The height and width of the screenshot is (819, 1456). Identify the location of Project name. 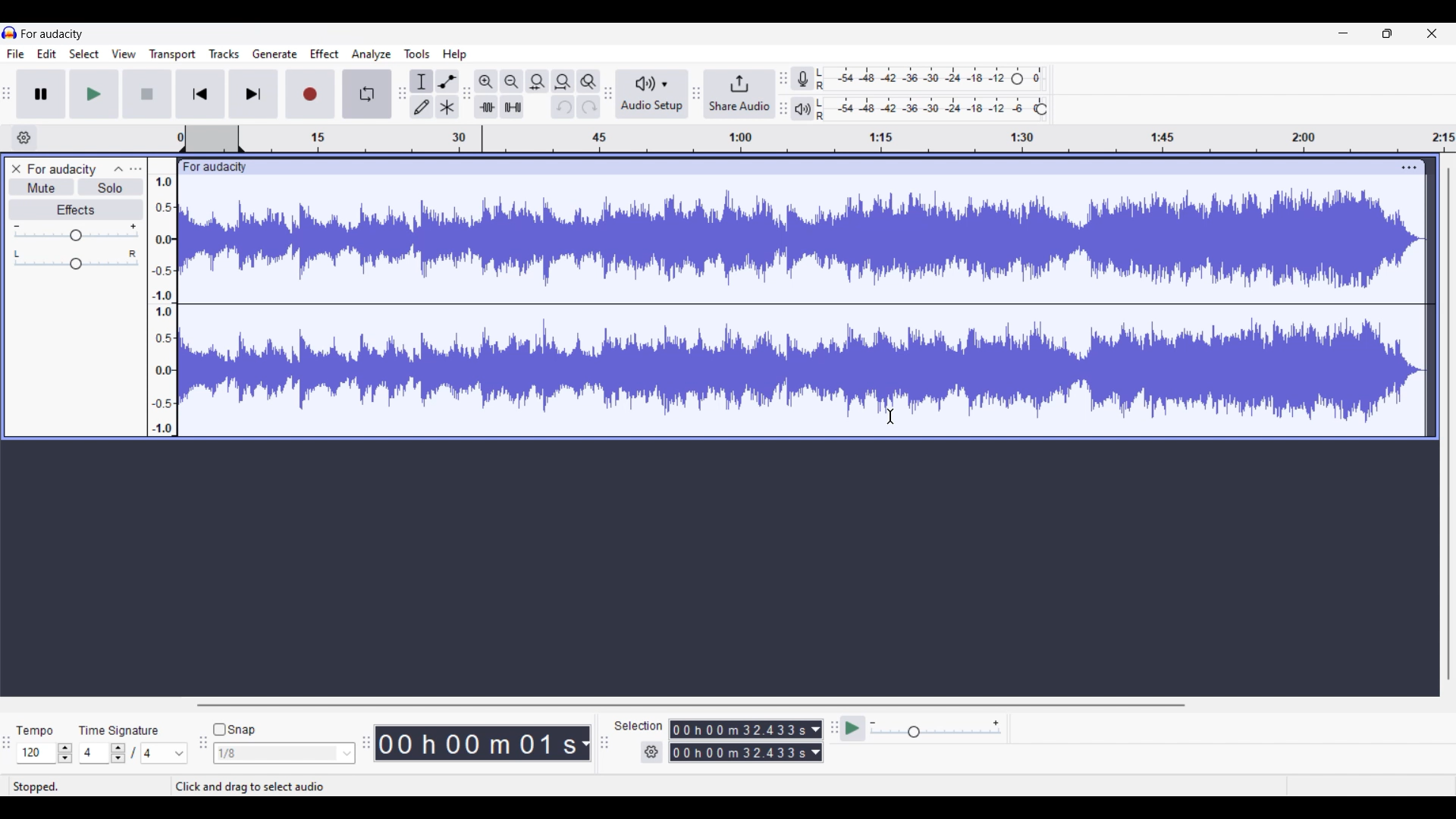
(213, 168).